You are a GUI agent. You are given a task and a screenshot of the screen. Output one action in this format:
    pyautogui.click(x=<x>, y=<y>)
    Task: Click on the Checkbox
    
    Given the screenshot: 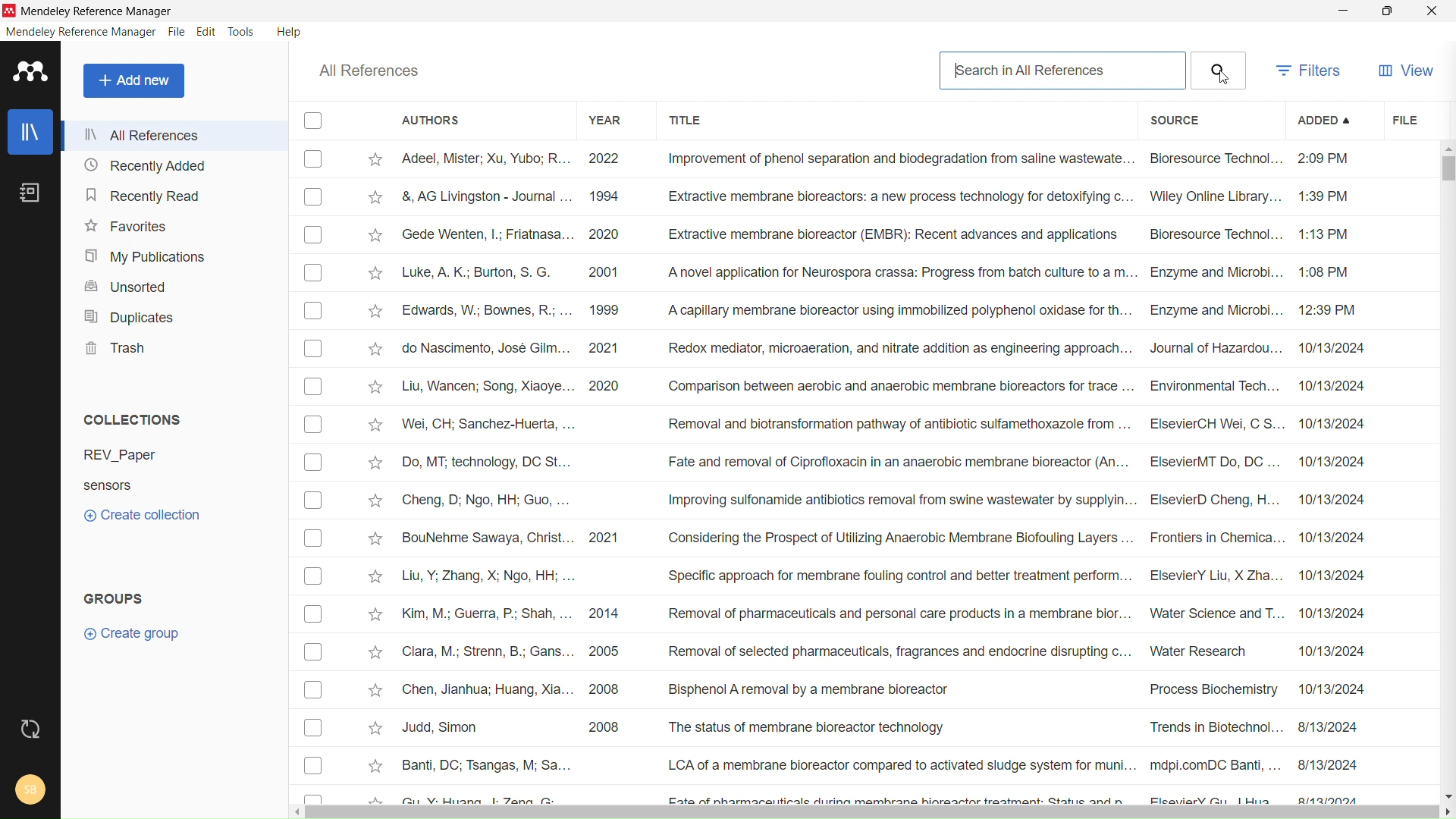 What is the action you would take?
    pyautogui.click(x=311, y=577)
    